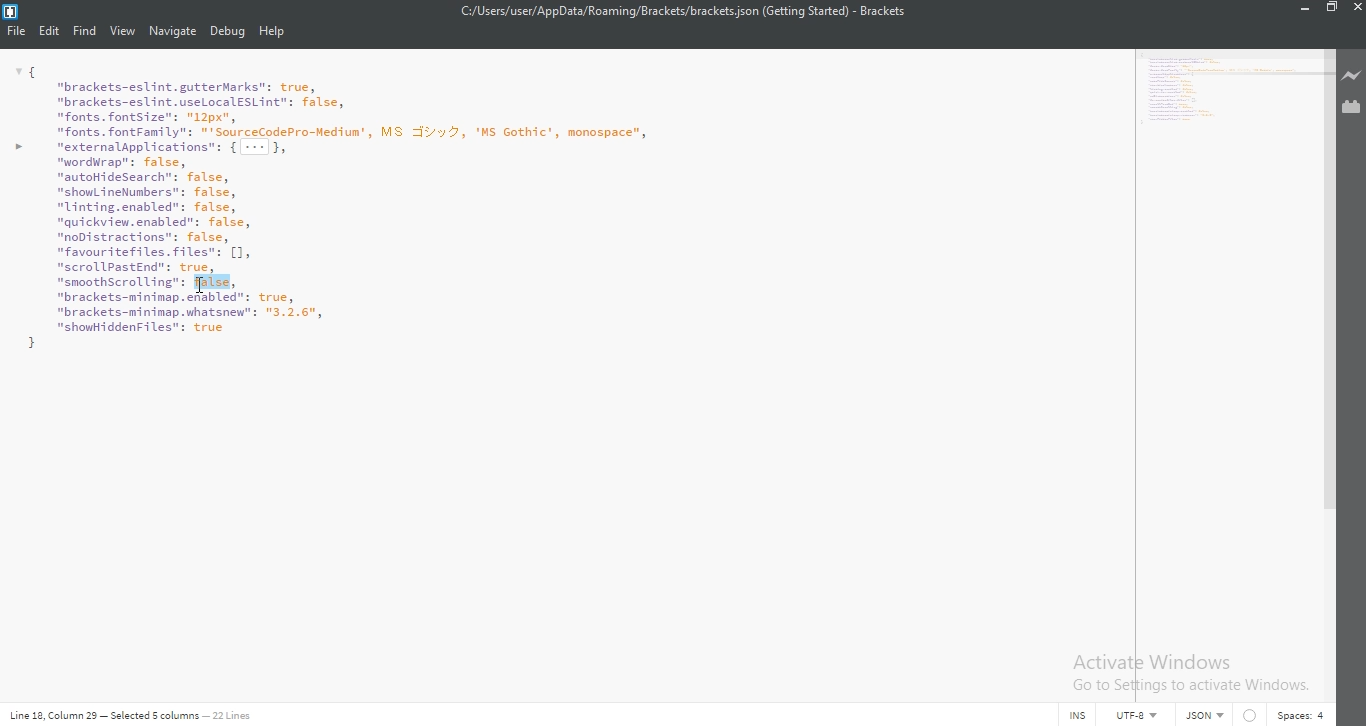  Describe the element at coordinates (1300, 9) in the screenshot. I see `Minimize` at that location.